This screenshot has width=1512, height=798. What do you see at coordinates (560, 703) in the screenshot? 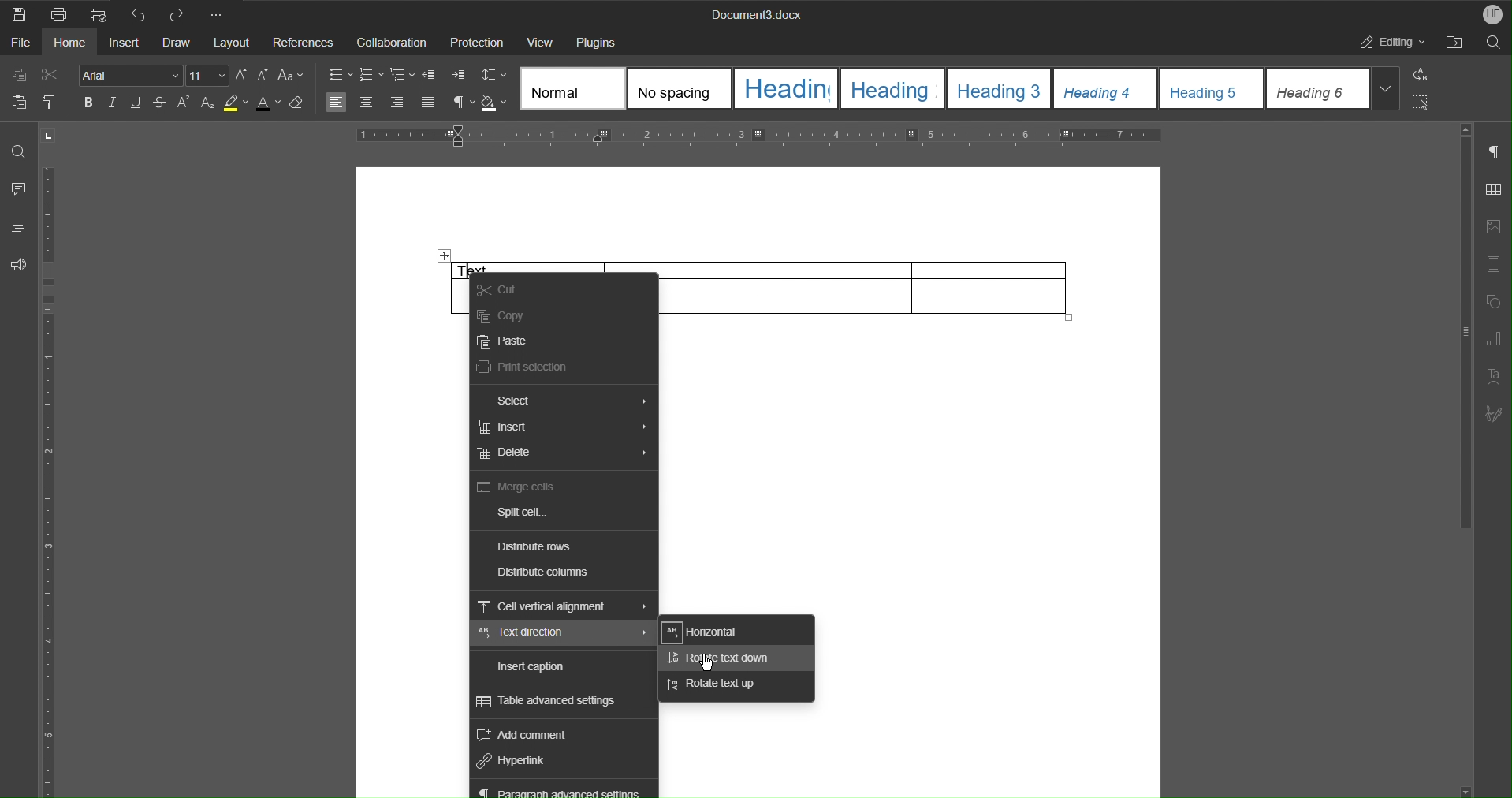
I see `Table advanced settings` at bounding box center [560, 703].